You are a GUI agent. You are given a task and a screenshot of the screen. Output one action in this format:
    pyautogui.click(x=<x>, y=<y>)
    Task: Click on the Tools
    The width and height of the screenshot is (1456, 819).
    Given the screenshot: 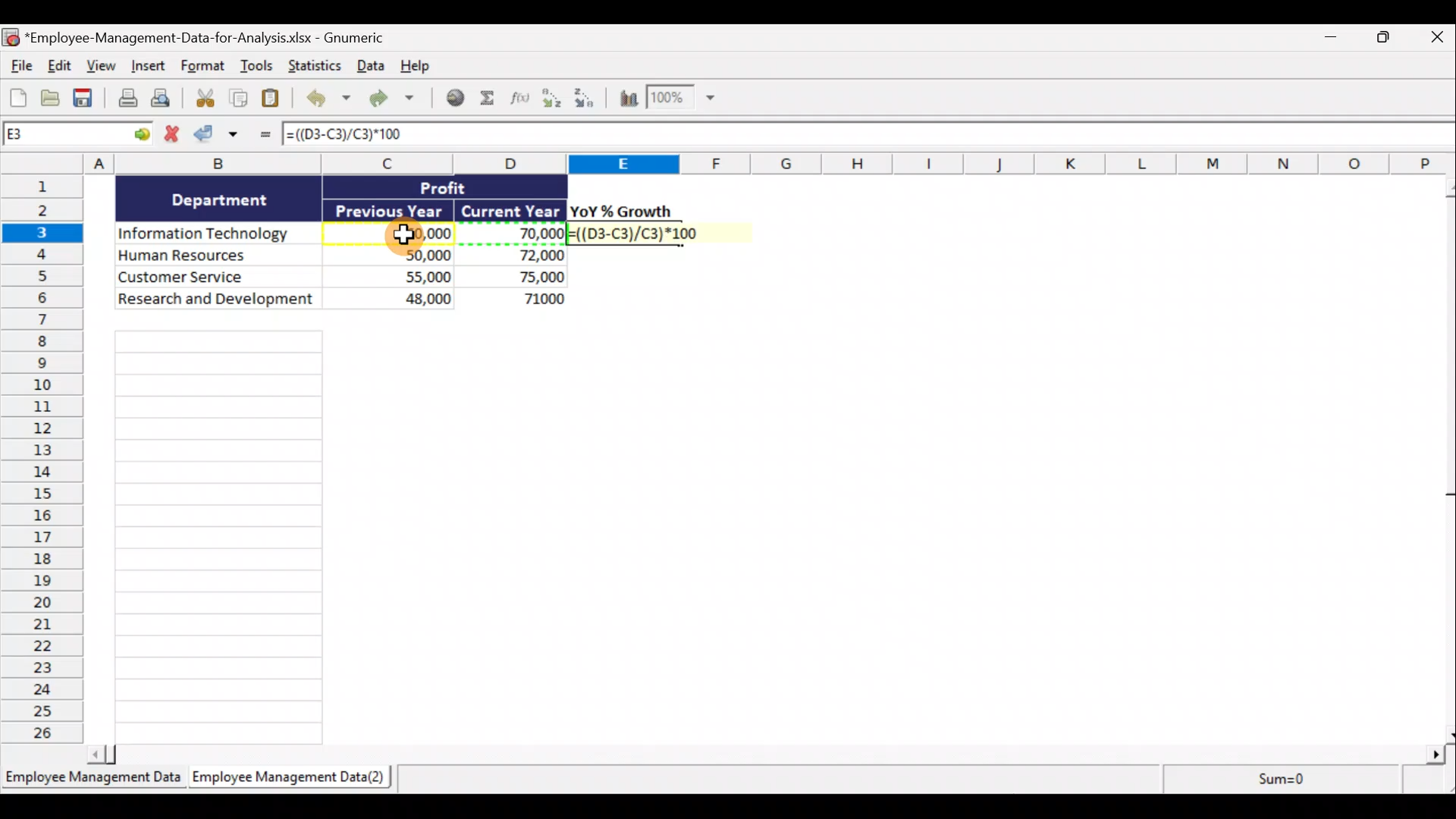 What is the action you would take?
    pyautogui.click(x=259, y=68)
    